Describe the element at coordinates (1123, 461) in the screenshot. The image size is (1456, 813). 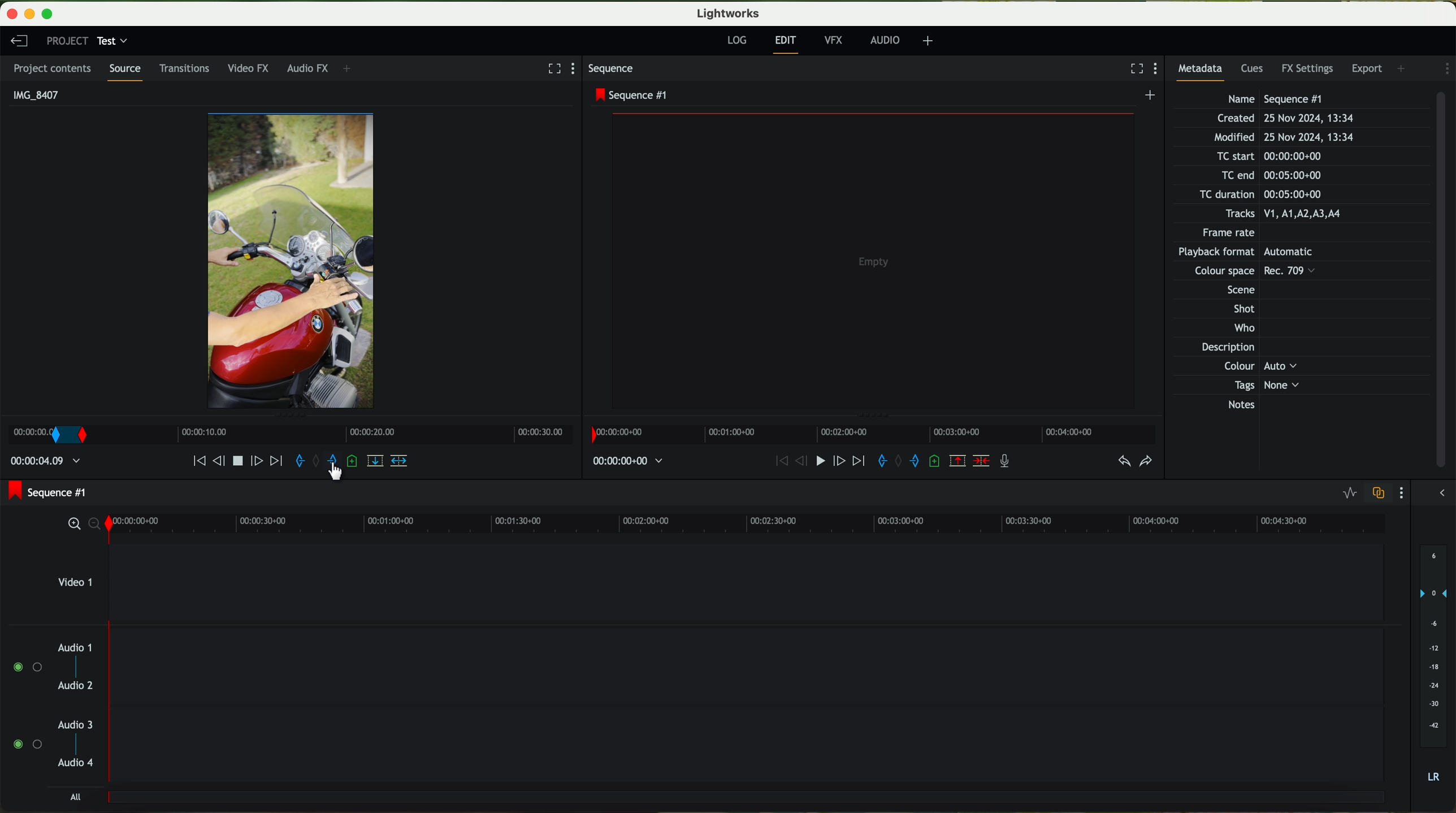
I see `undo` at that location.